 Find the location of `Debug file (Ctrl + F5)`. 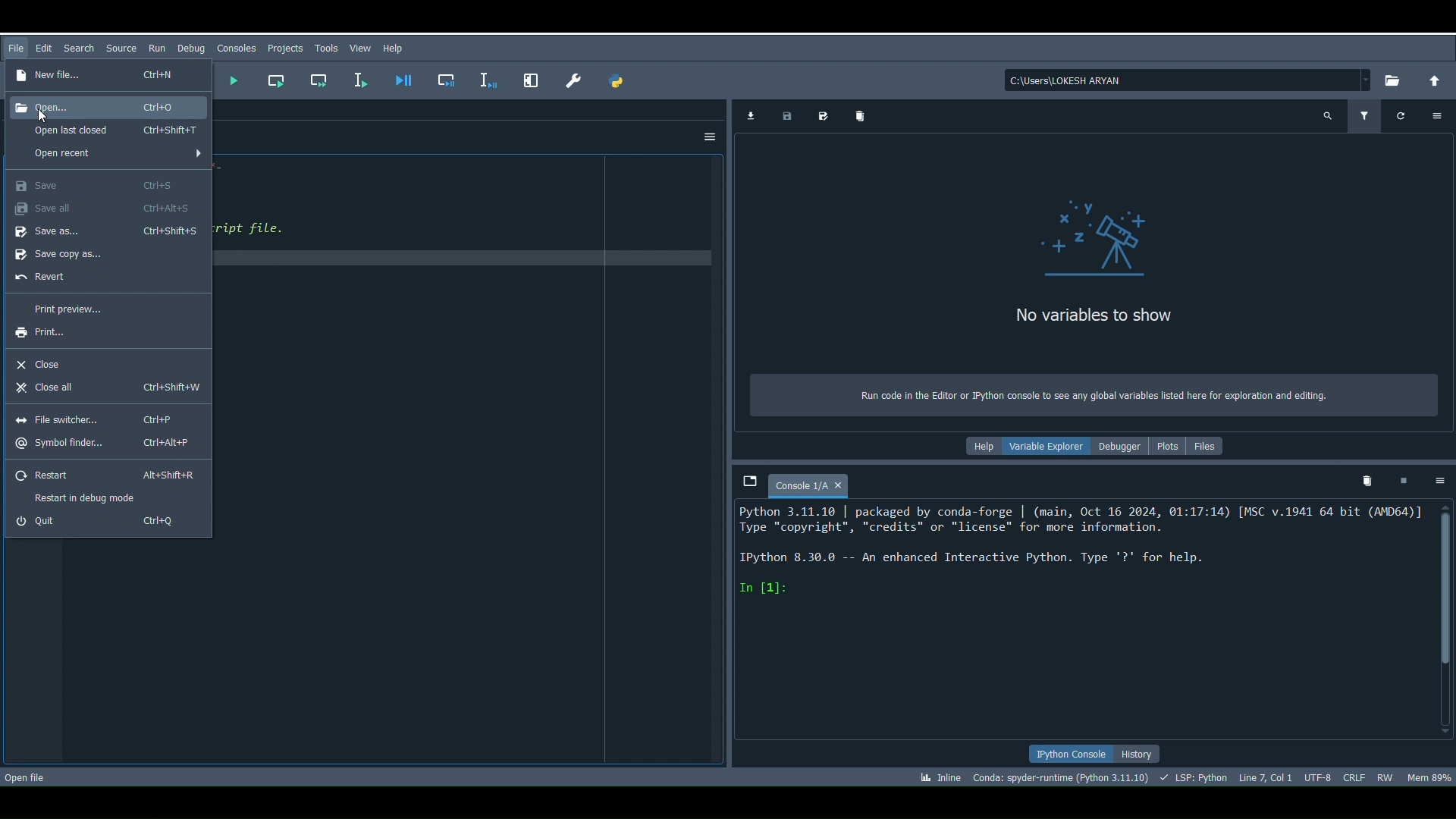

Debug file (Ctrl + F5) is located at coordinates (404, 74).